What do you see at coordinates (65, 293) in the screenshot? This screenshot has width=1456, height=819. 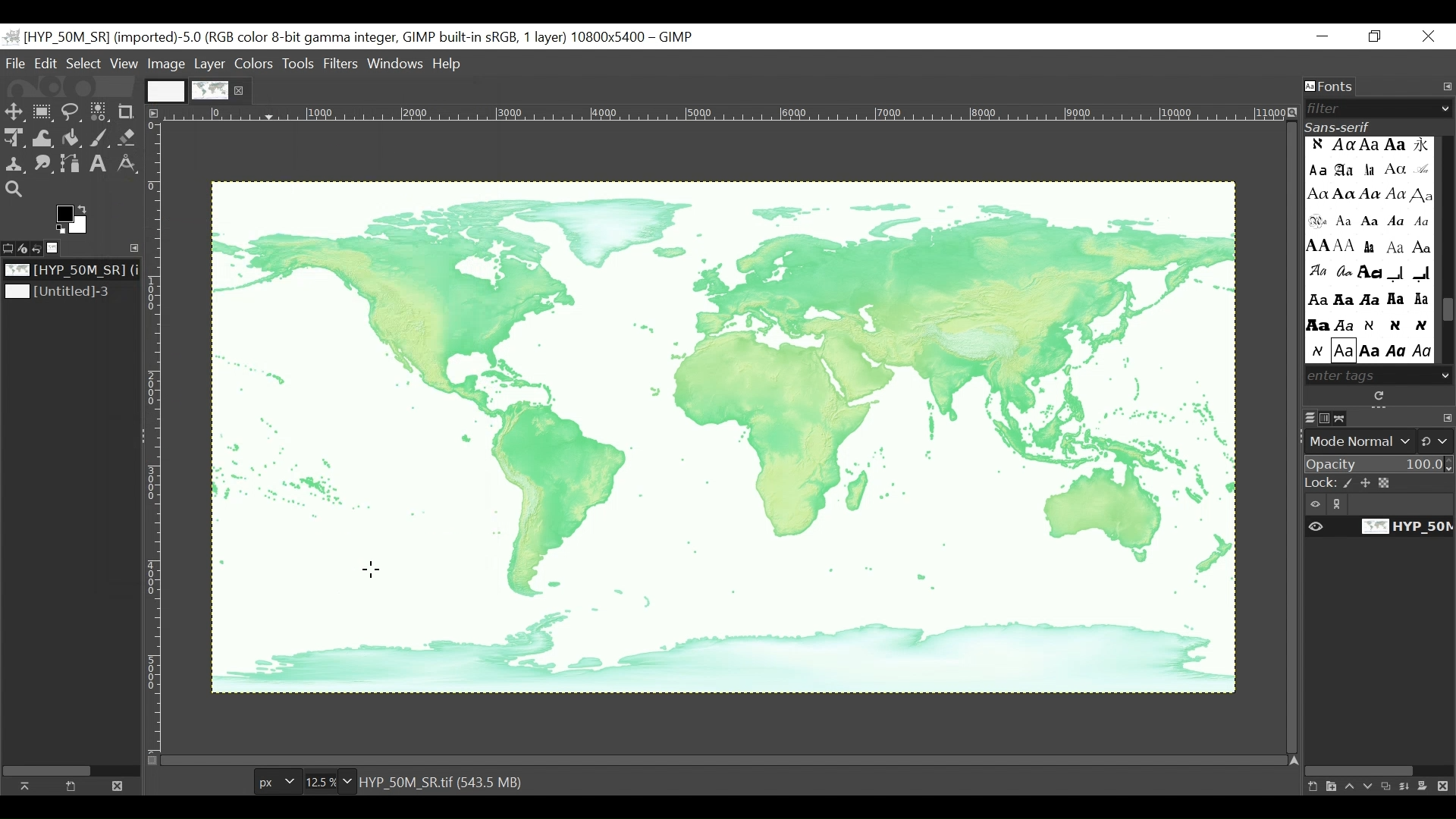 I see `Image` at bounding box center [65, 293].